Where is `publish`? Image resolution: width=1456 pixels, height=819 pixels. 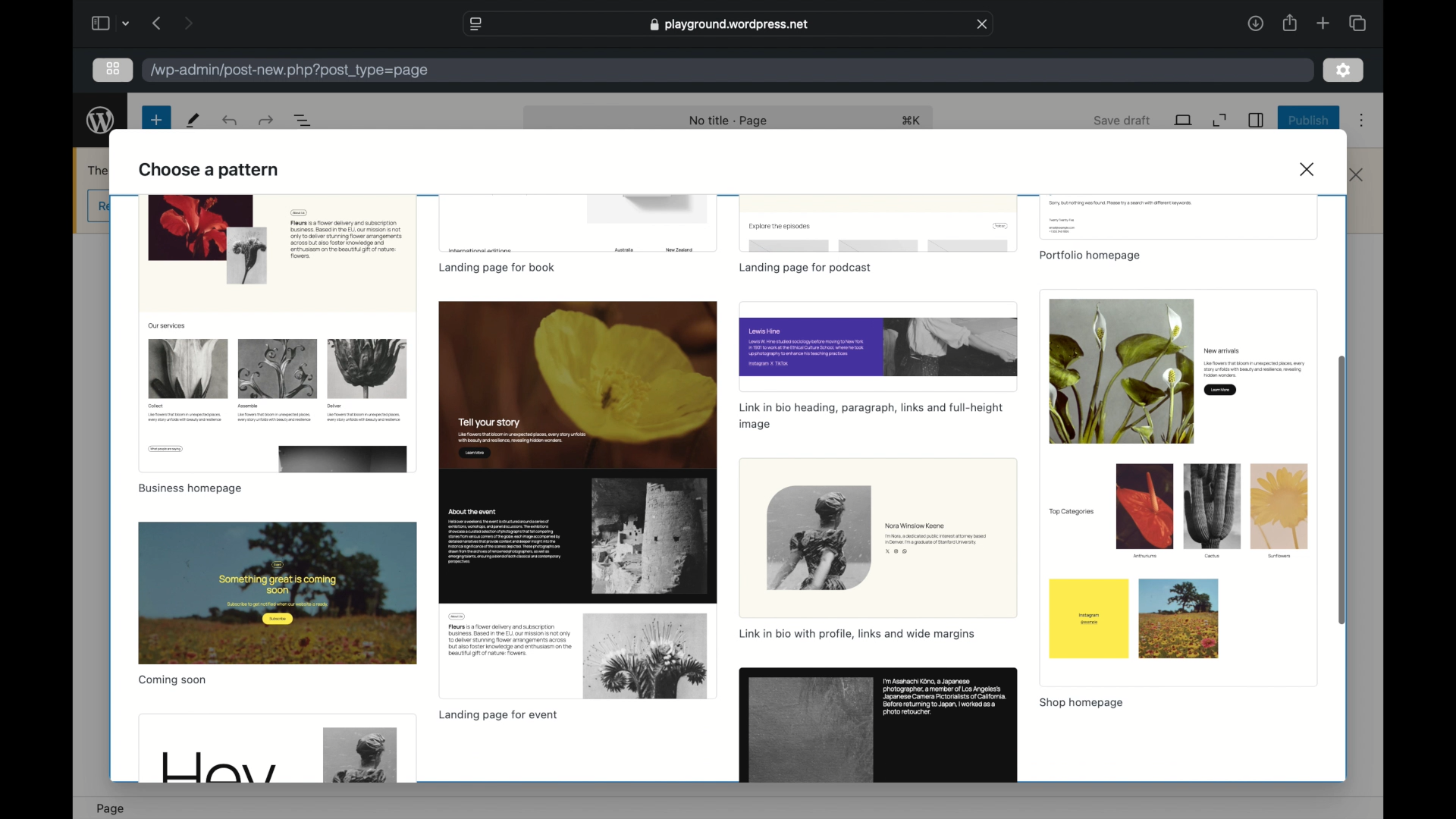 publish is located at coordinates (1310, 120).